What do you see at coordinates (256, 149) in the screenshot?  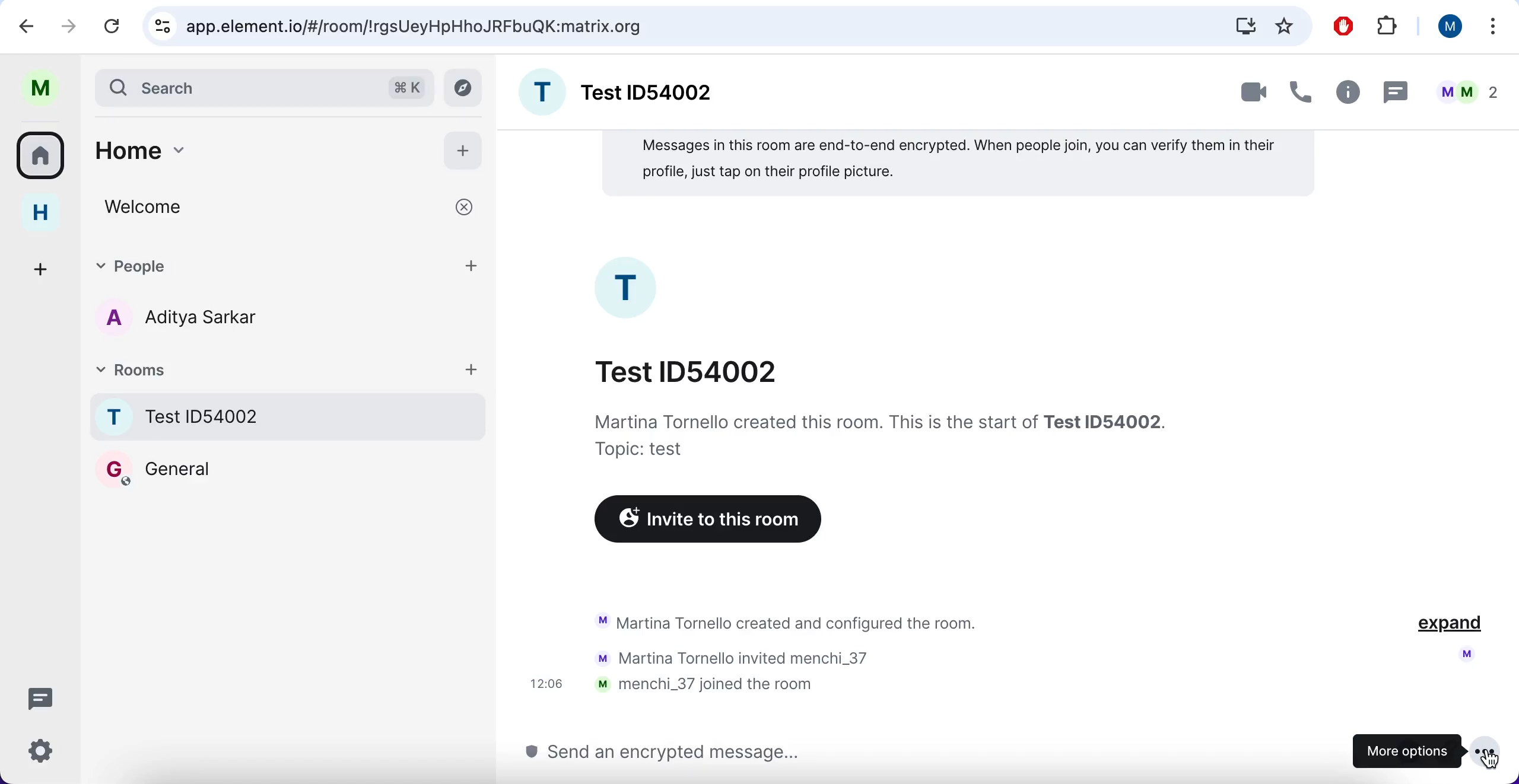 I see `home` at bounding box center [256, 149].